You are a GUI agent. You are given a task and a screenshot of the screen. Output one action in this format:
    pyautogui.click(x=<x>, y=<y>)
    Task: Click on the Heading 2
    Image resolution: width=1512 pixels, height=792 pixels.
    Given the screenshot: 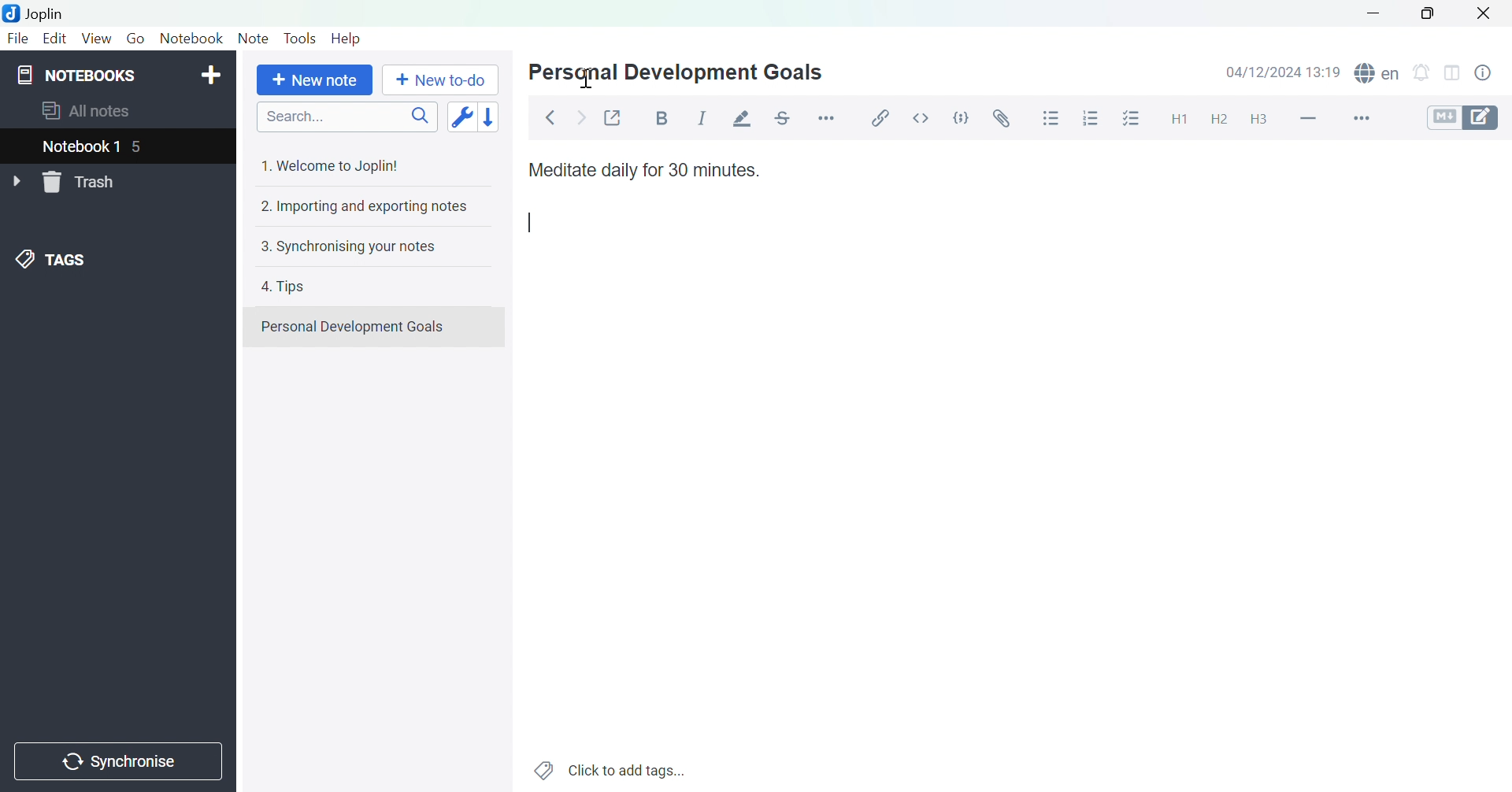 What is the action you would take?
    pyautogui.click(x=1218, y=121)
    